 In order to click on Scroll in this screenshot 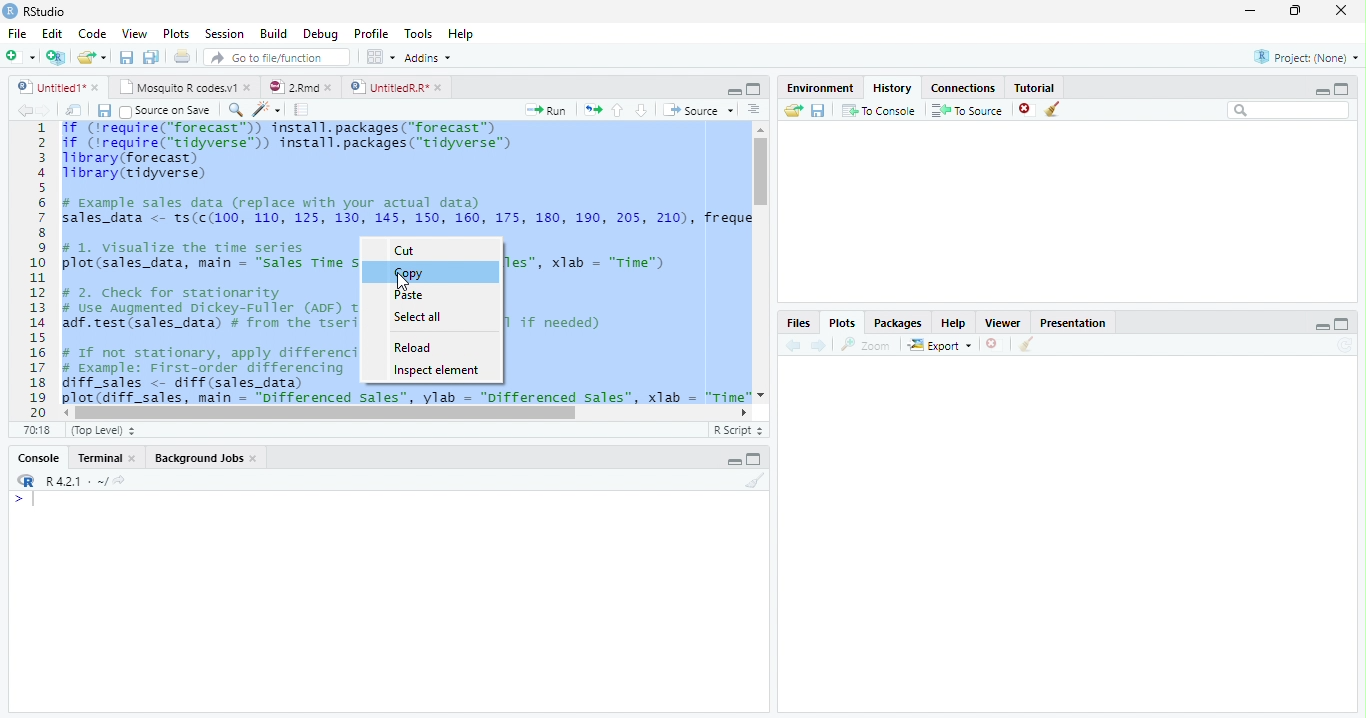, I will do `click(405, 414)`.